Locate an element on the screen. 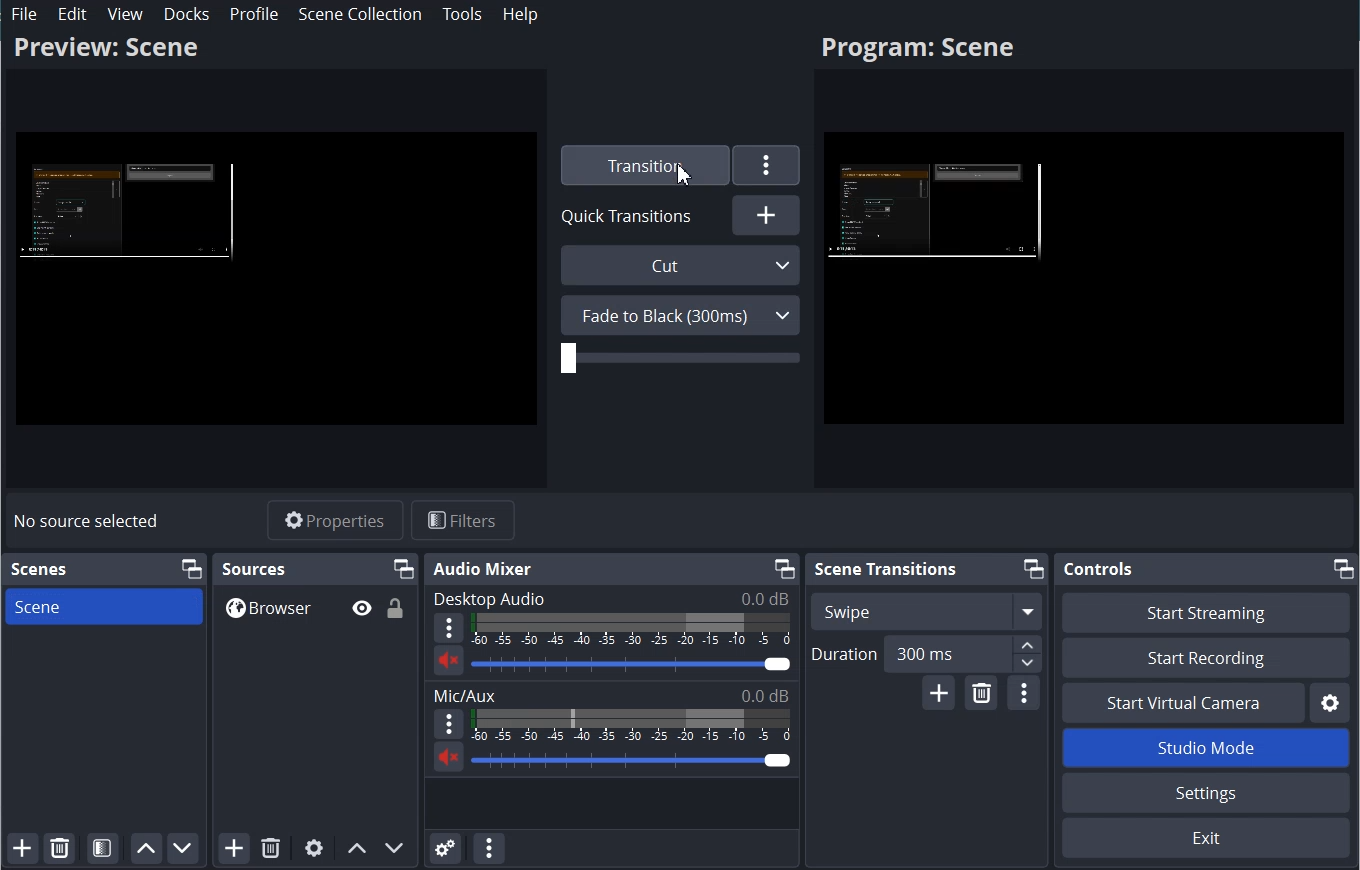 The width and height of the screenshot is (1360, 870). Text is located at coordinates (255, 568).